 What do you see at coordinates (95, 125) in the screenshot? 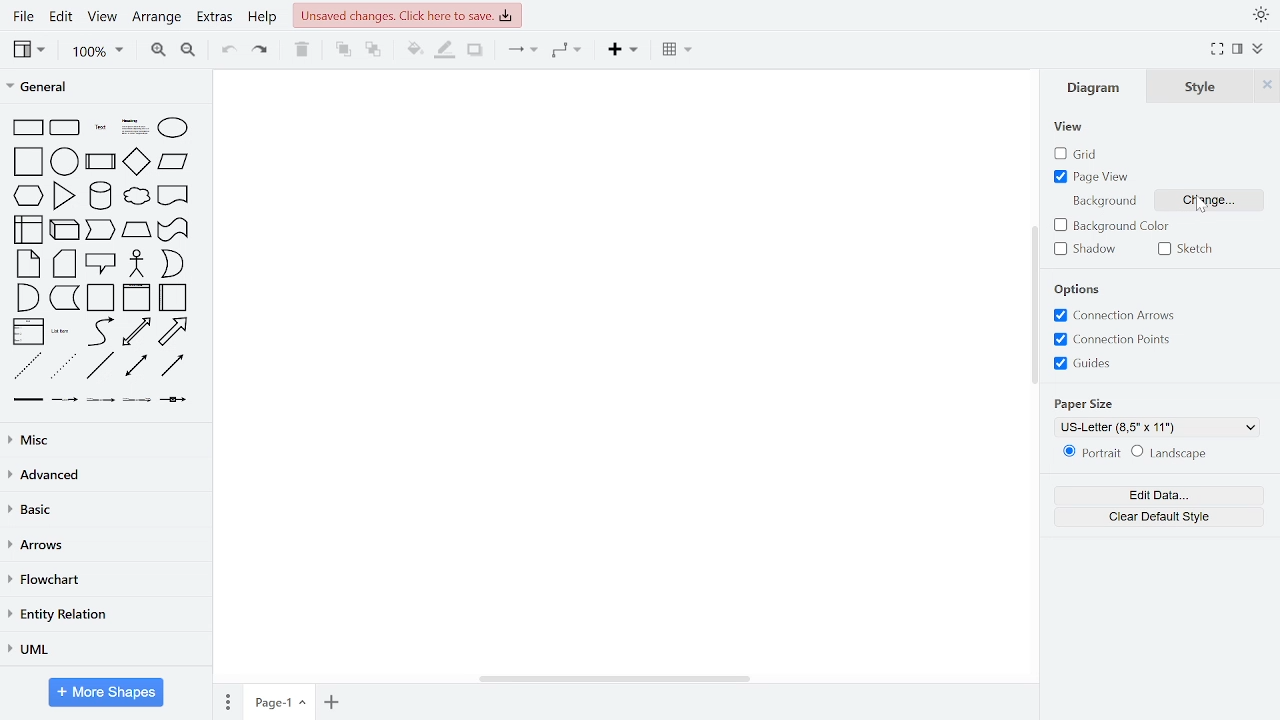
I see `general shapes` at bounding box center [95, 125].